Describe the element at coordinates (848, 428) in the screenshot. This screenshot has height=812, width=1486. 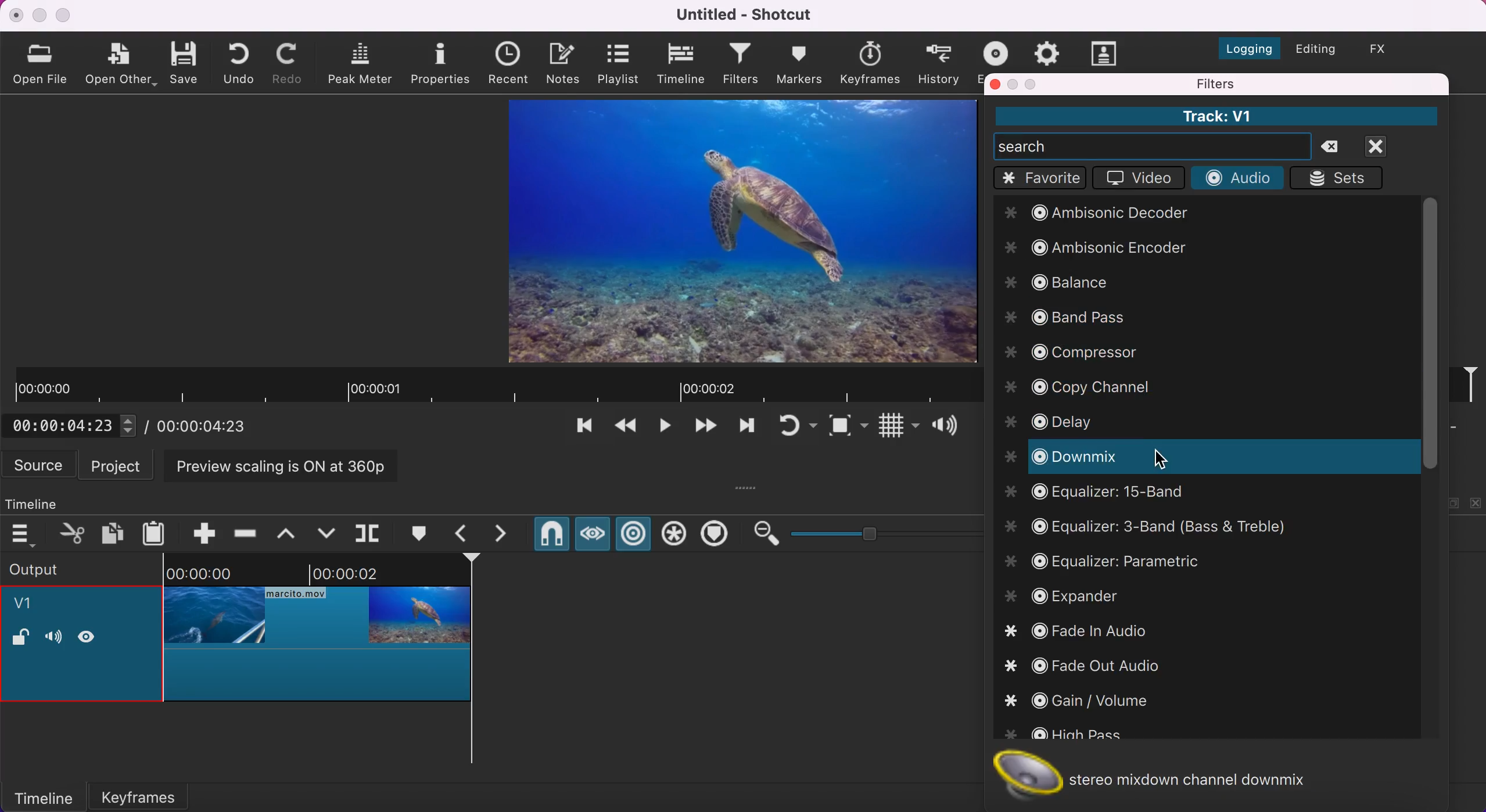
I see `toggle zoom` at that location.